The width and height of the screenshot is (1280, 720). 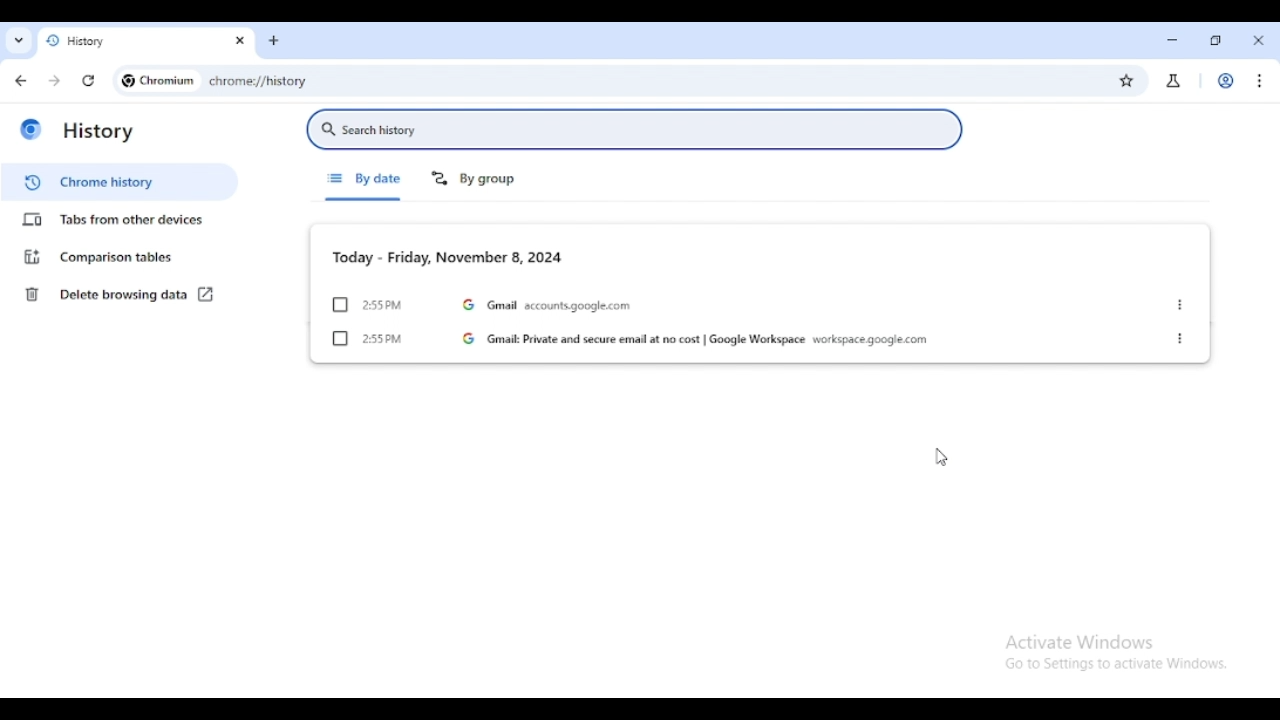 I want to click on checkbox, so click(x=341, y=339).